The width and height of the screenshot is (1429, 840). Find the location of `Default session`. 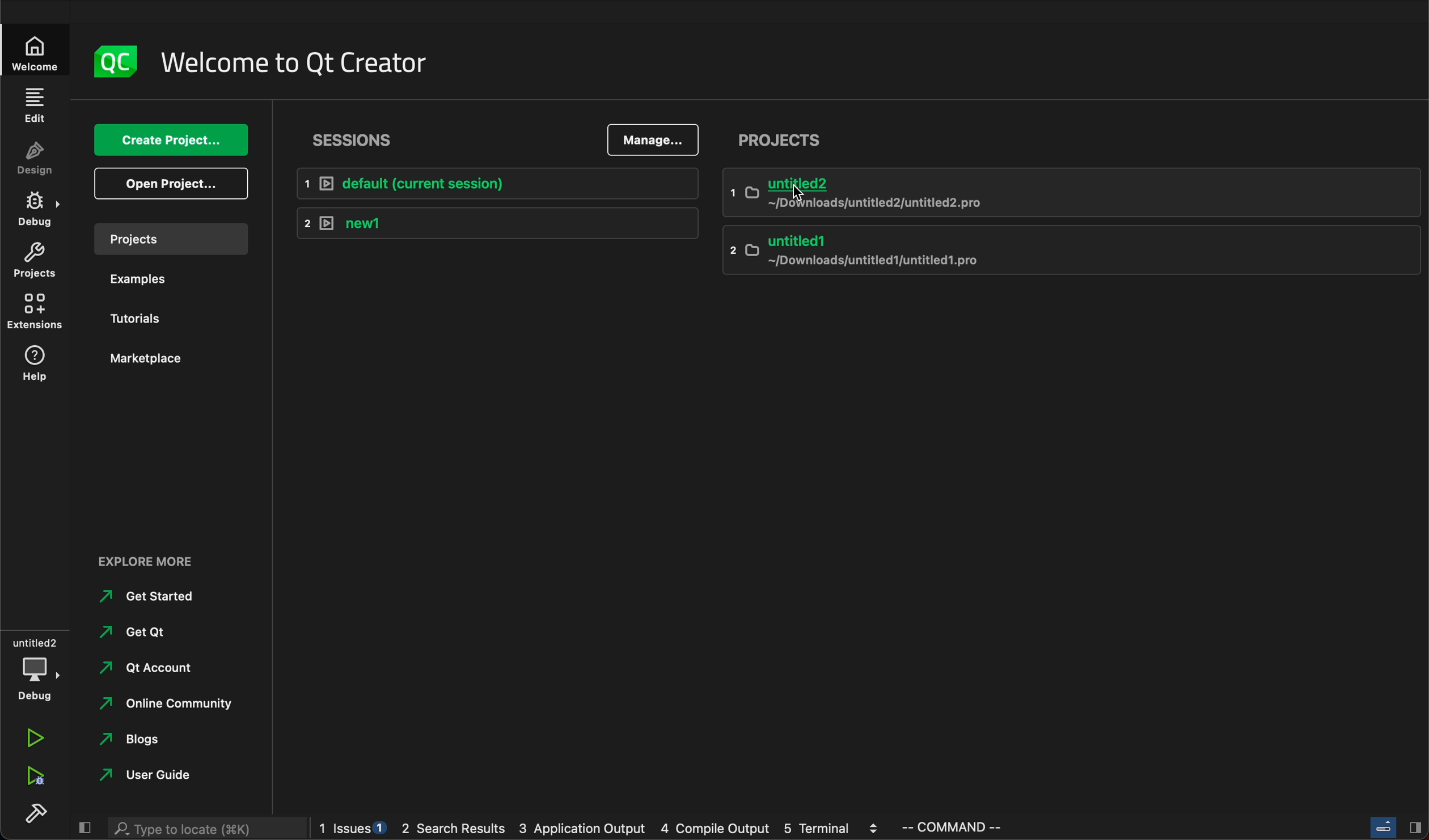

Default session is located at coordinates (501, 183).